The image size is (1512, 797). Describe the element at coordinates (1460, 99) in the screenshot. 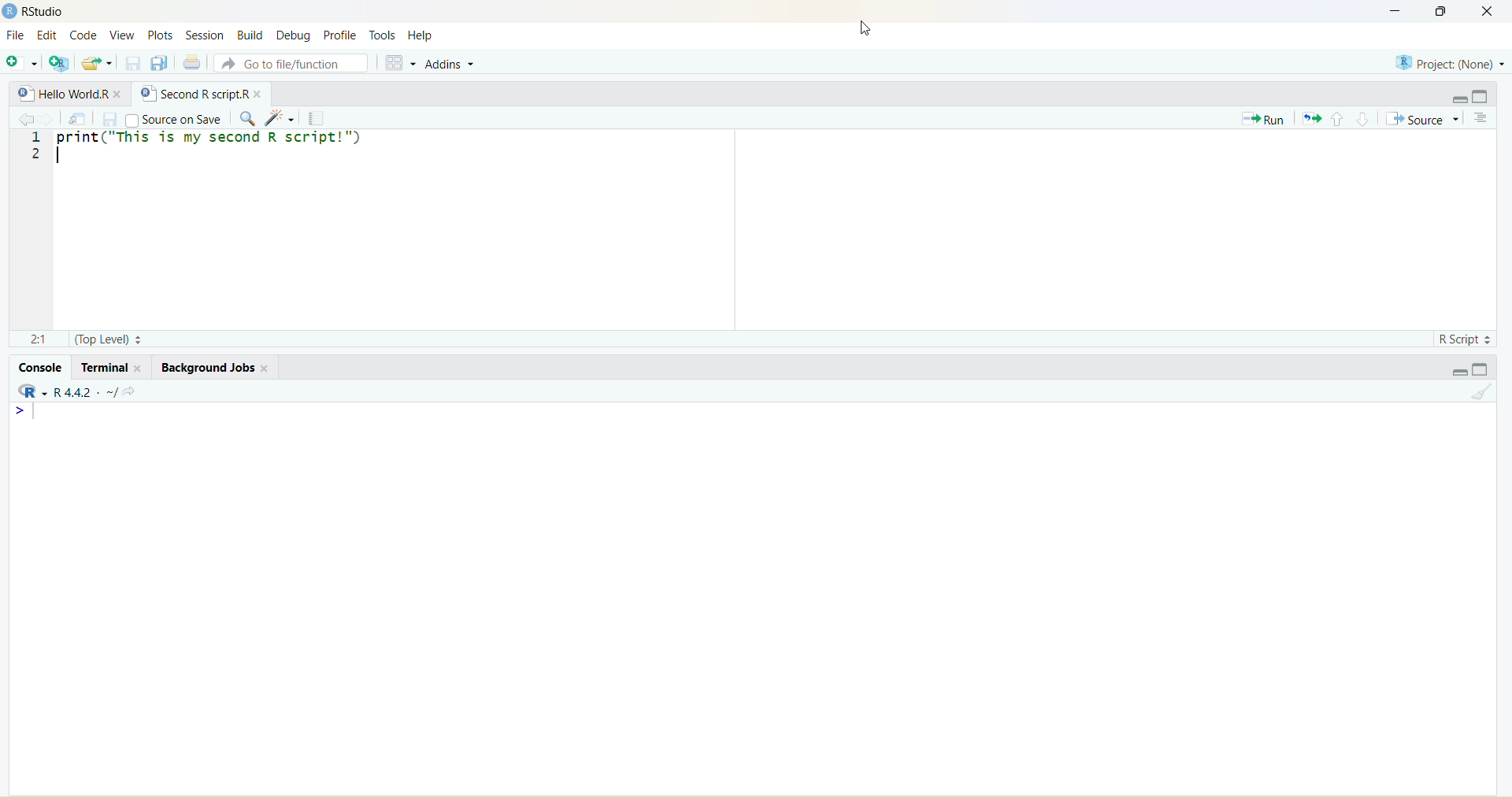

I see `Minimize` at that location.